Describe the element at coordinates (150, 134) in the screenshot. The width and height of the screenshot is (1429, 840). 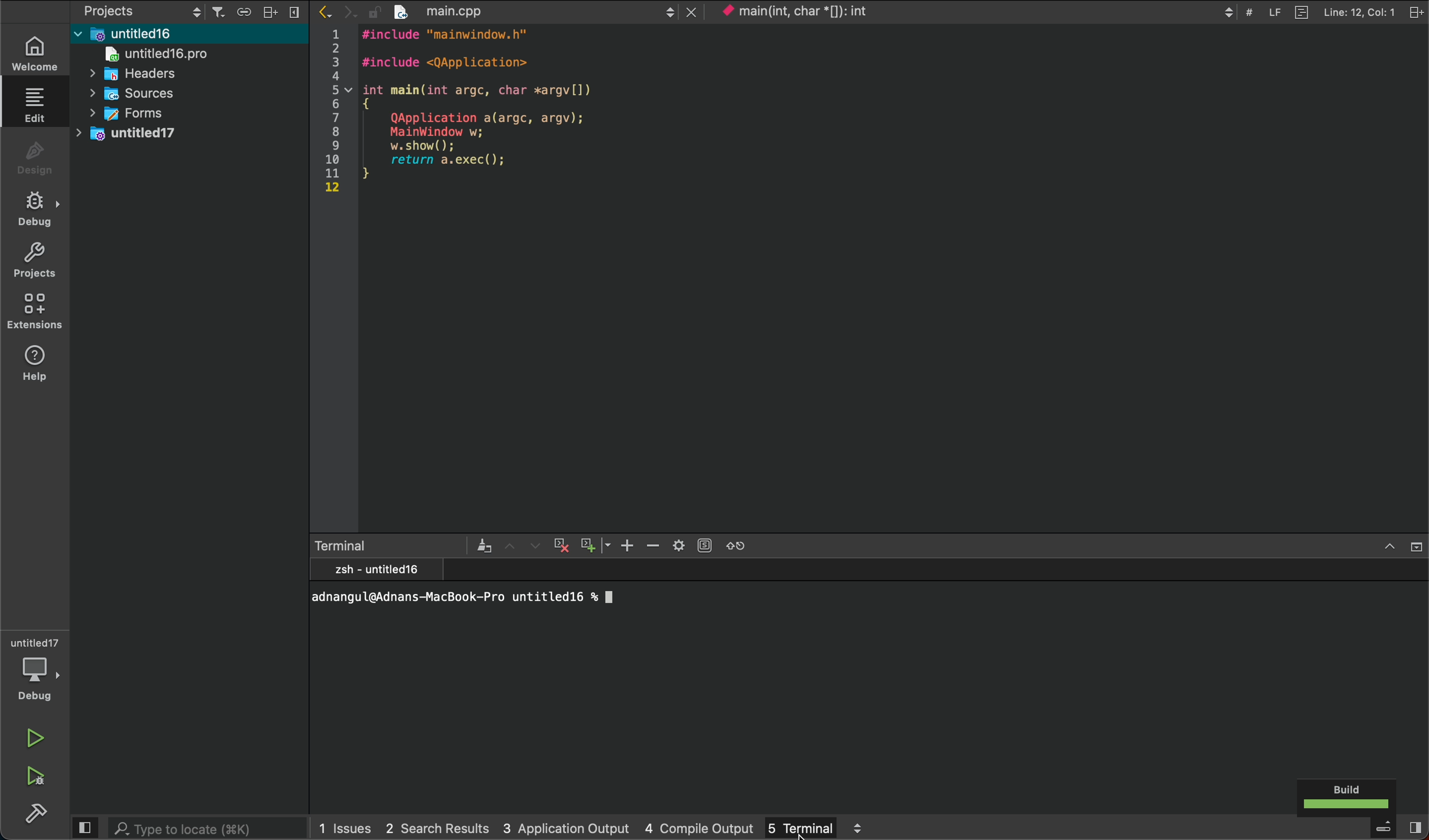
I see `untitled 17` at that location.